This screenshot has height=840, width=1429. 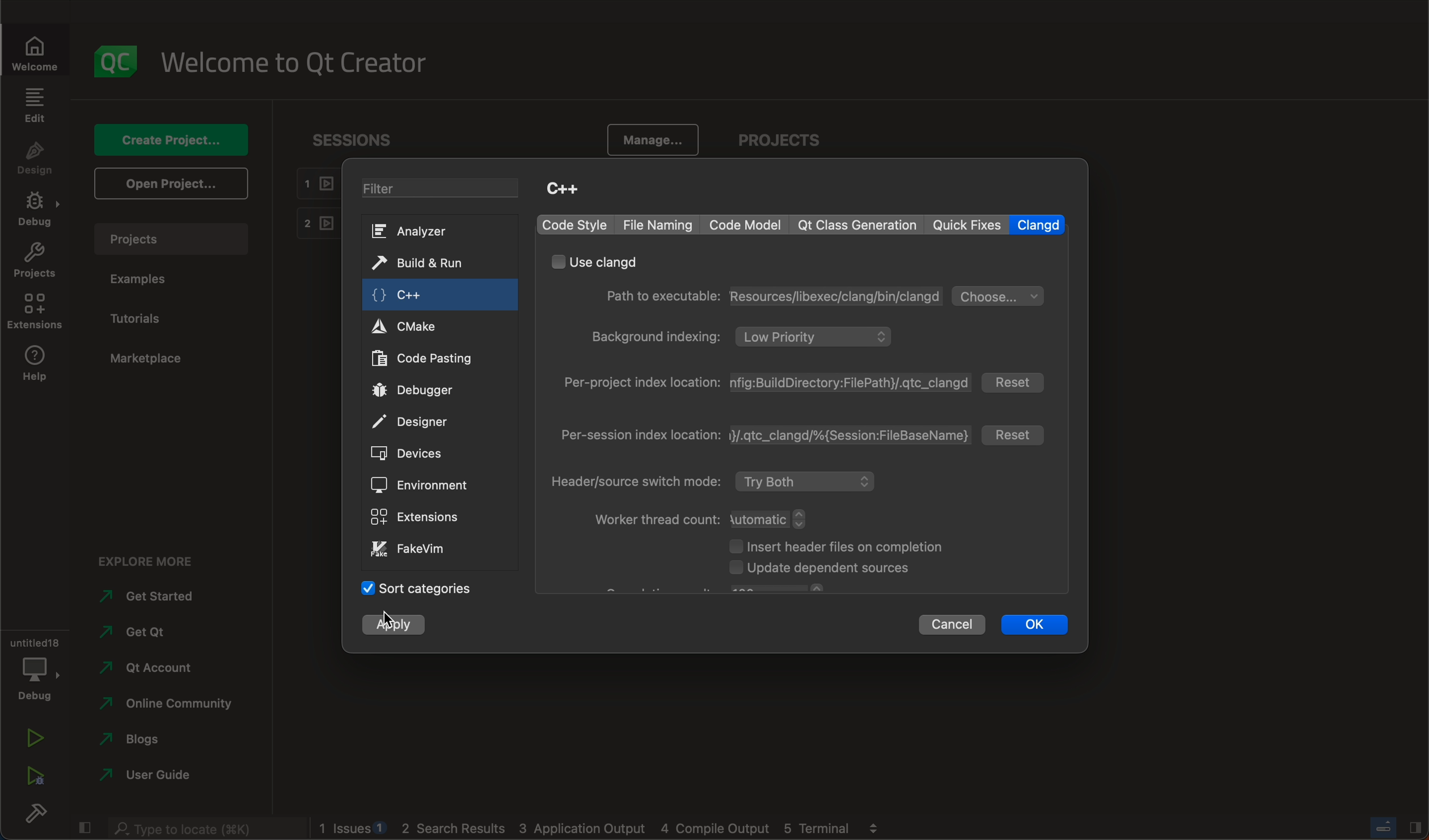 What do you see at coordinates (35, 735) in the screenshot?
I see `run` at bounding box center [35, 735].